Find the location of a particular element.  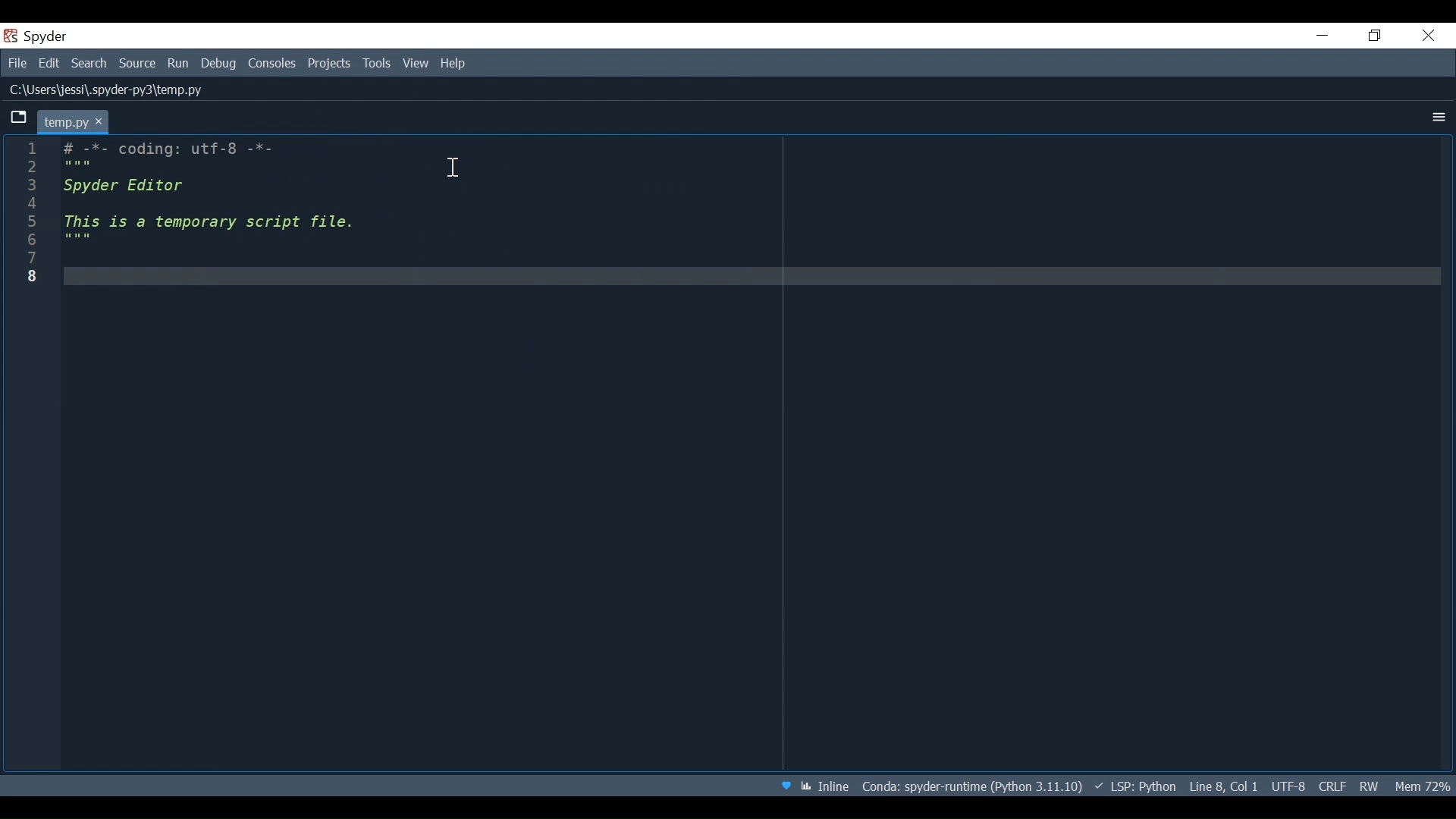

View is located at coordinates (417, 63).